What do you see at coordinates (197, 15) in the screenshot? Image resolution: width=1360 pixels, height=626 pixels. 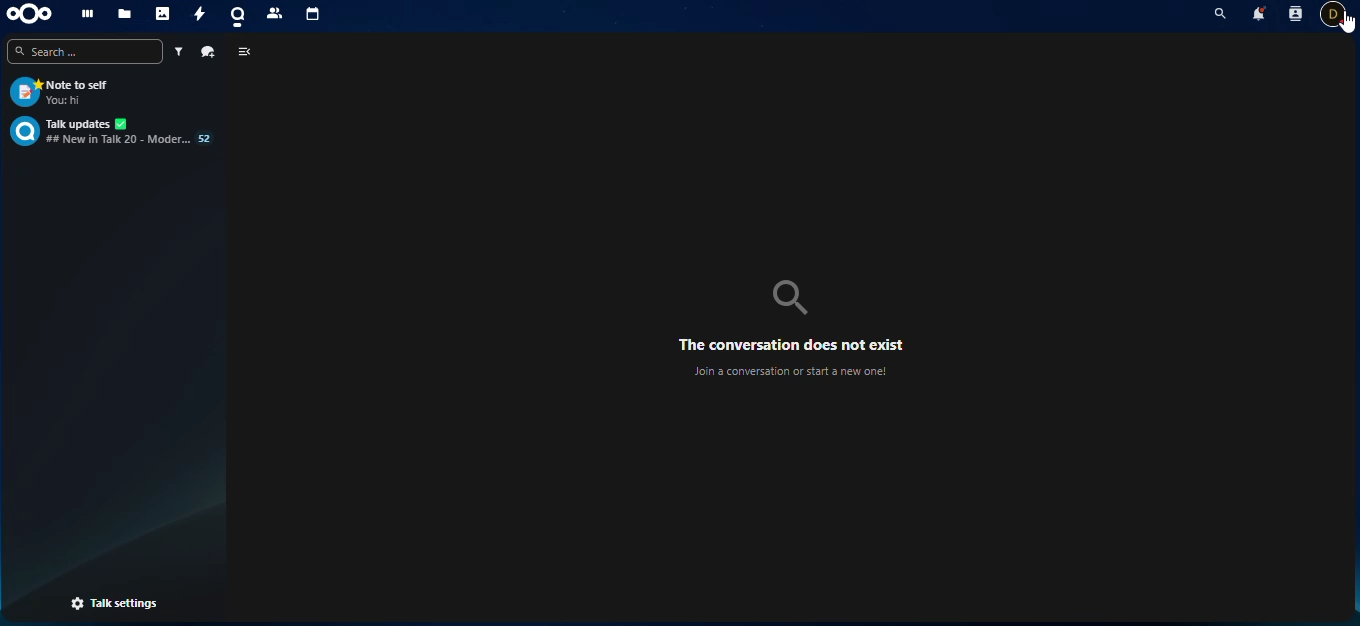 I see `activity` at bounding box center [197, 15].